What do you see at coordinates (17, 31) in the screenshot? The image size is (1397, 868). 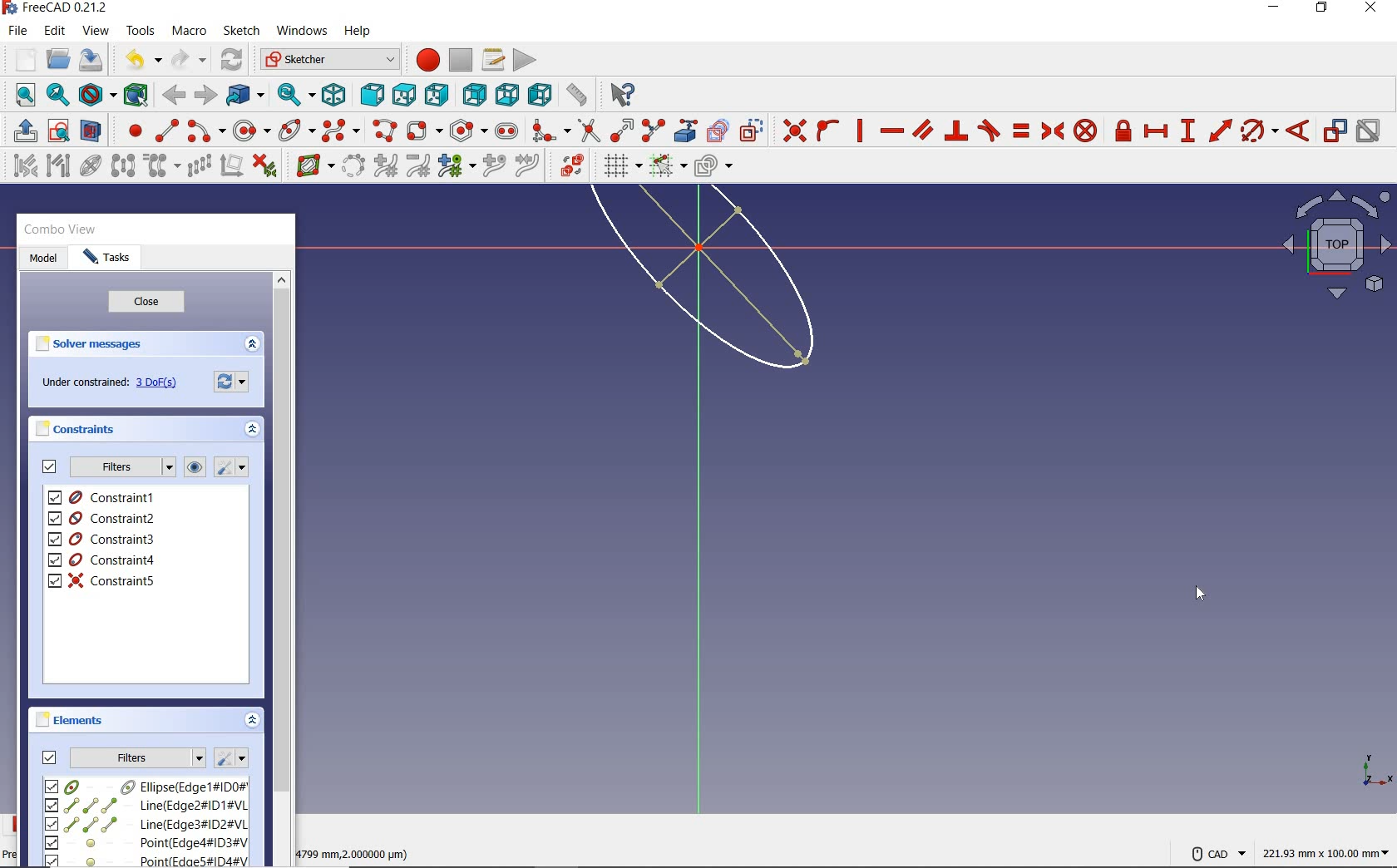 I see `file` at bounding box center [17, 31].